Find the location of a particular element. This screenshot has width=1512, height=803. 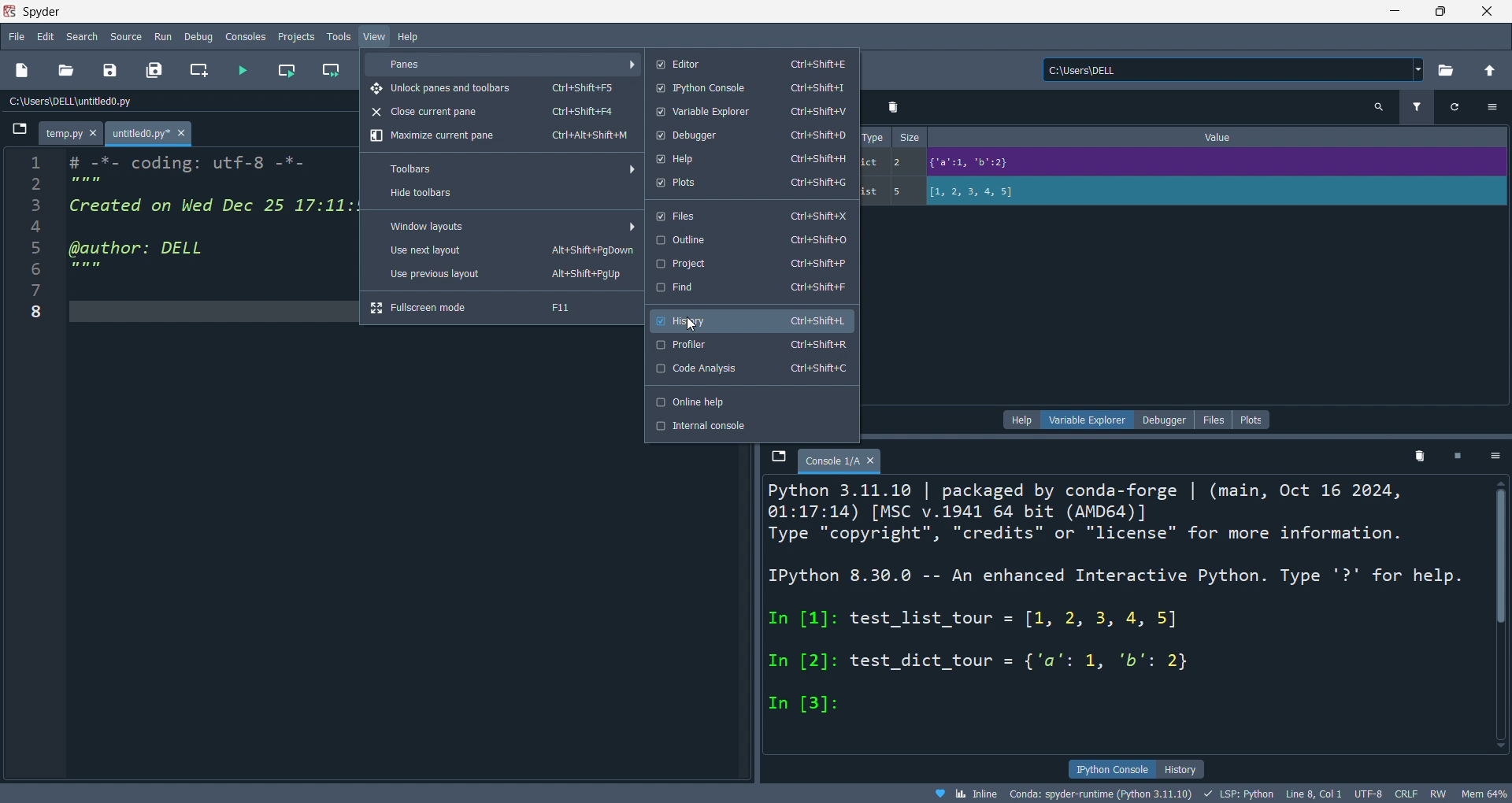

Line number is located at coordinates (35, 242).